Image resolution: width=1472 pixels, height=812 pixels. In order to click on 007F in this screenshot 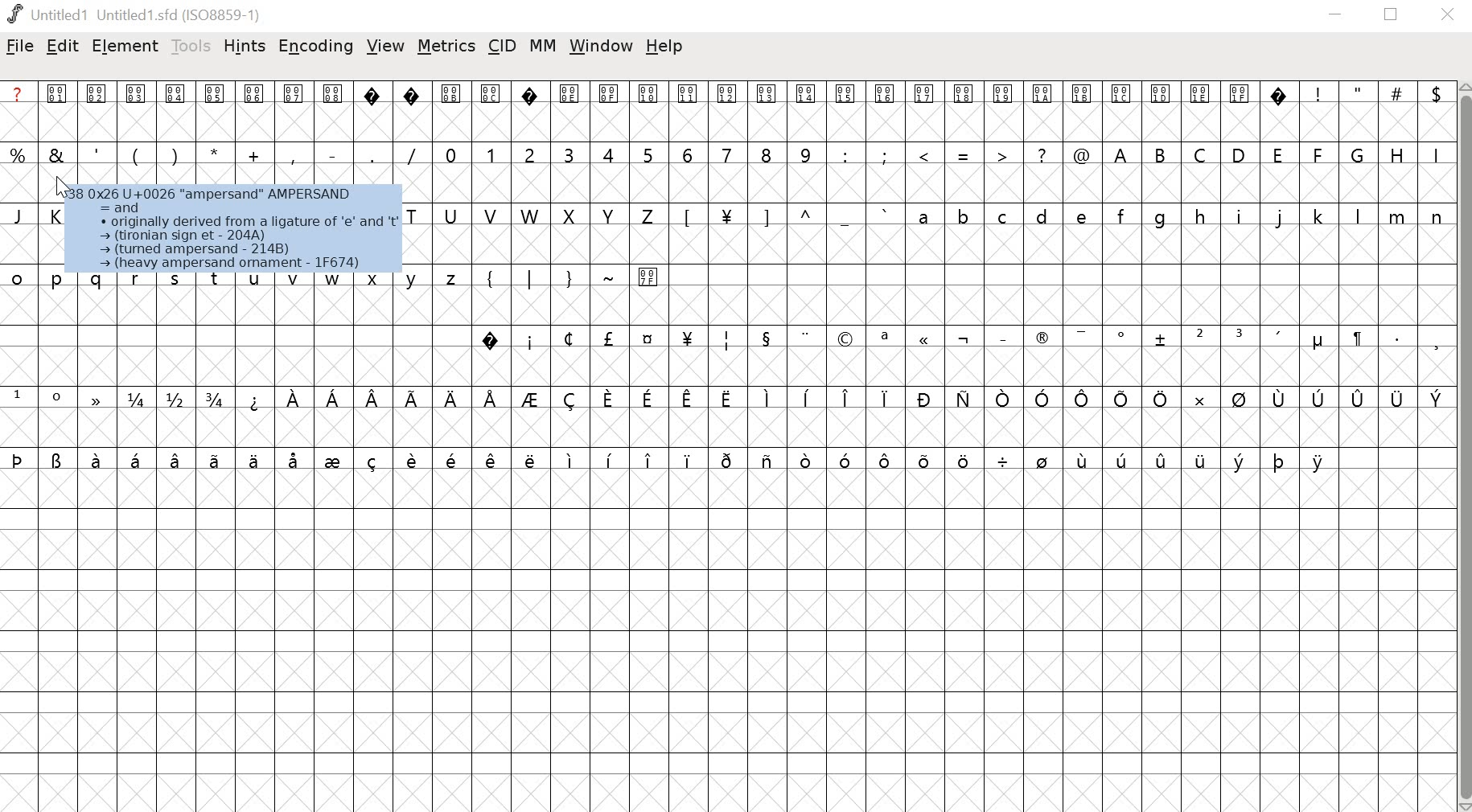, I will do `click(652, 276)`.